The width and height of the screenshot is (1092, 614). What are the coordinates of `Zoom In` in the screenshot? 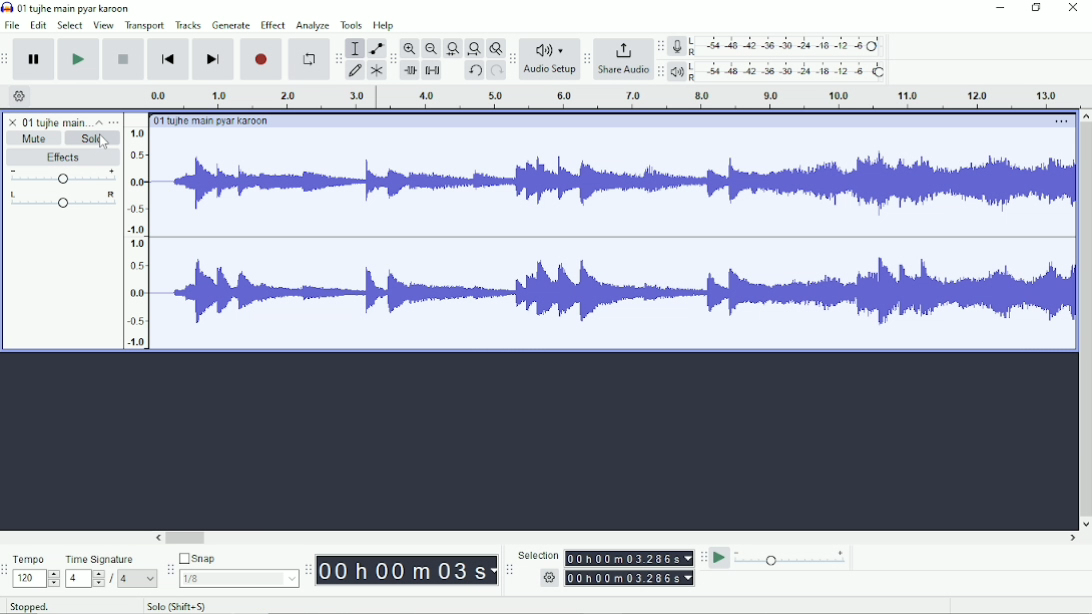 It's located at (409, 49).